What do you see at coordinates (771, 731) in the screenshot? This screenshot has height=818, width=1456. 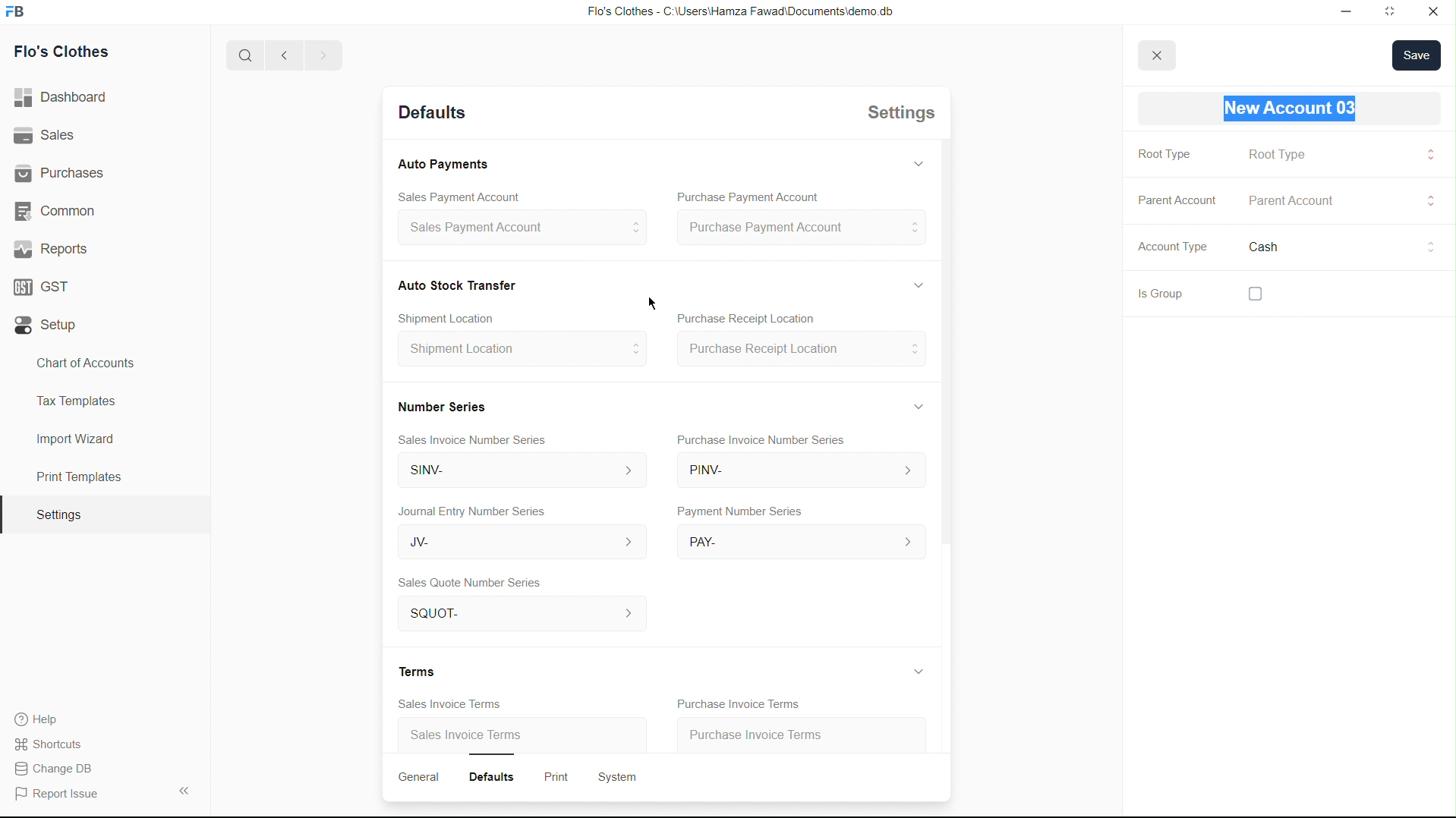 I see `Purchase Invoice Terms` at bounding box center [771, 731].